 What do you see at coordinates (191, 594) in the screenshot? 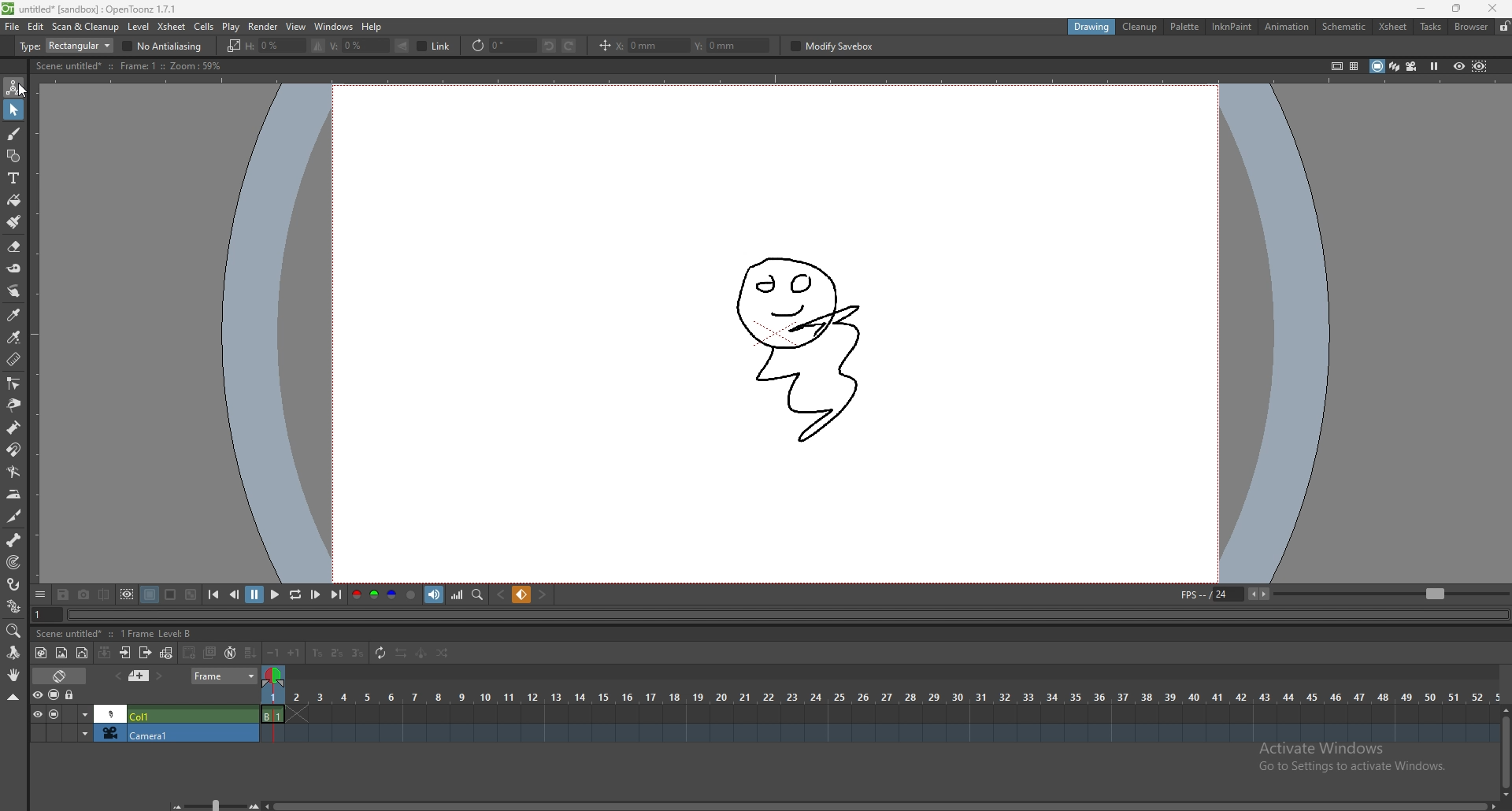
I see `checkered background` at bounding box center [191, 594].